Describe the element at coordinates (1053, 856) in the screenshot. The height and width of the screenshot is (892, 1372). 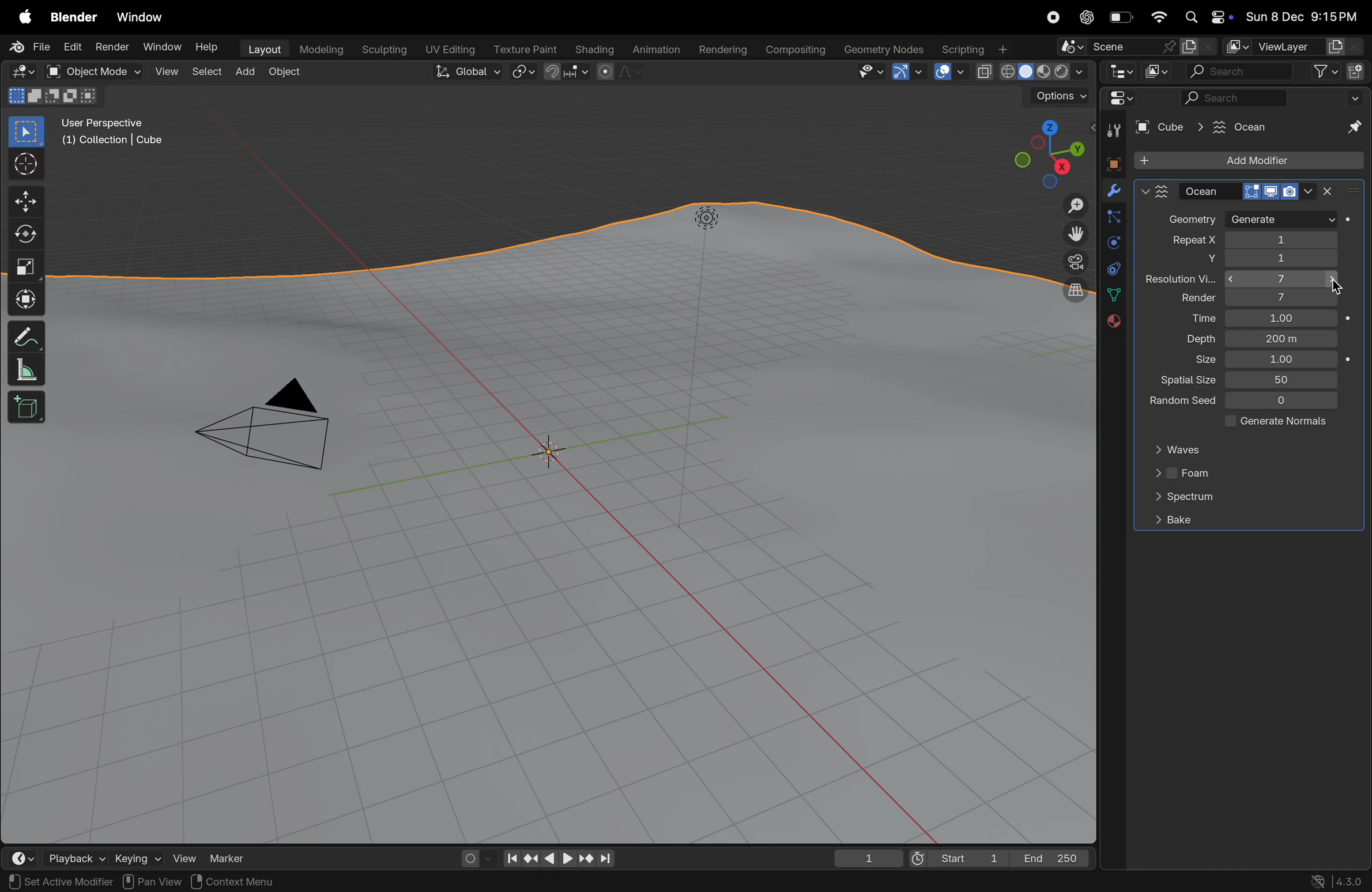
I see `end 250` at that location.